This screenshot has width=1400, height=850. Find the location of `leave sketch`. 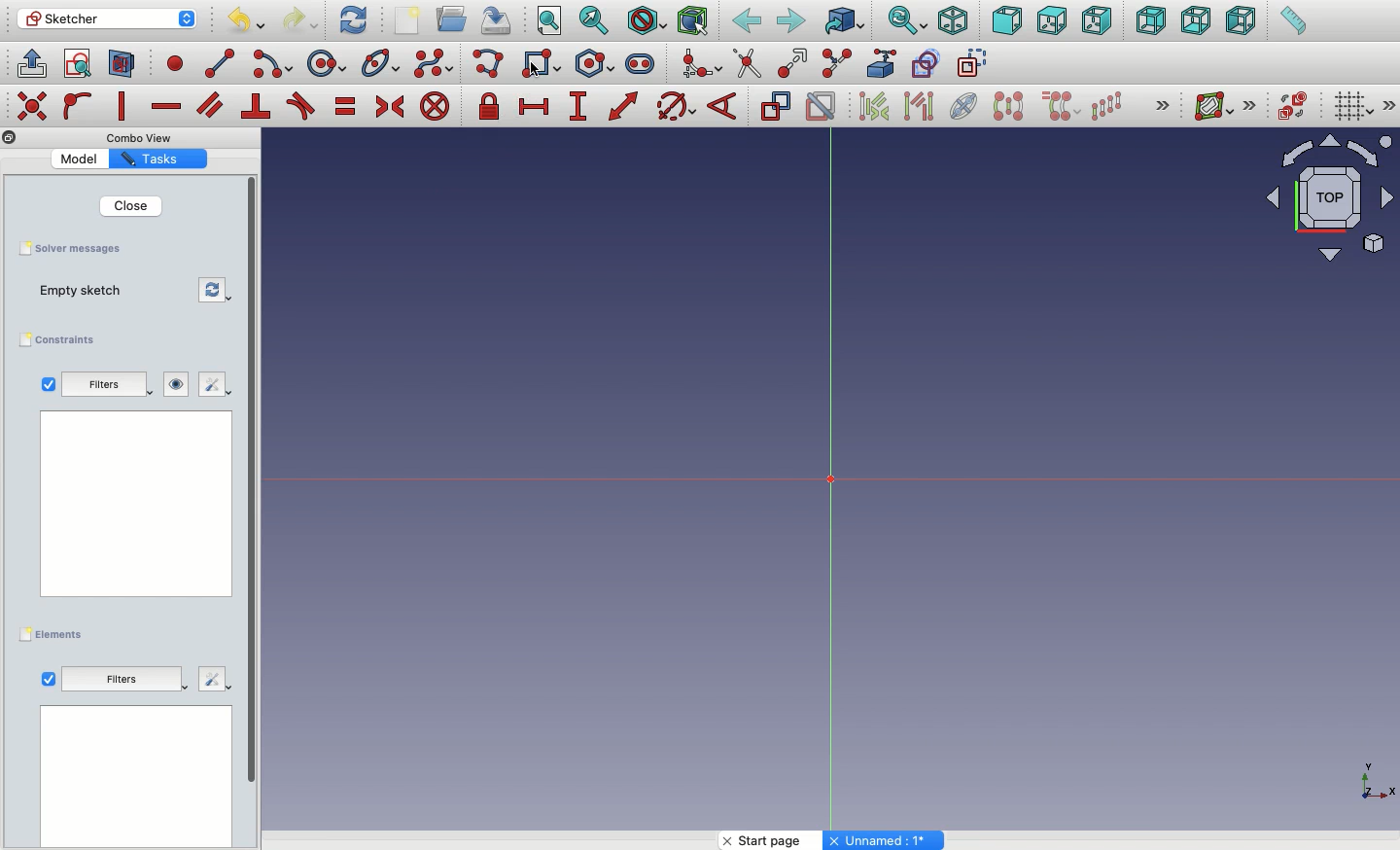

leave sketch is located at coordinates (30, 62).